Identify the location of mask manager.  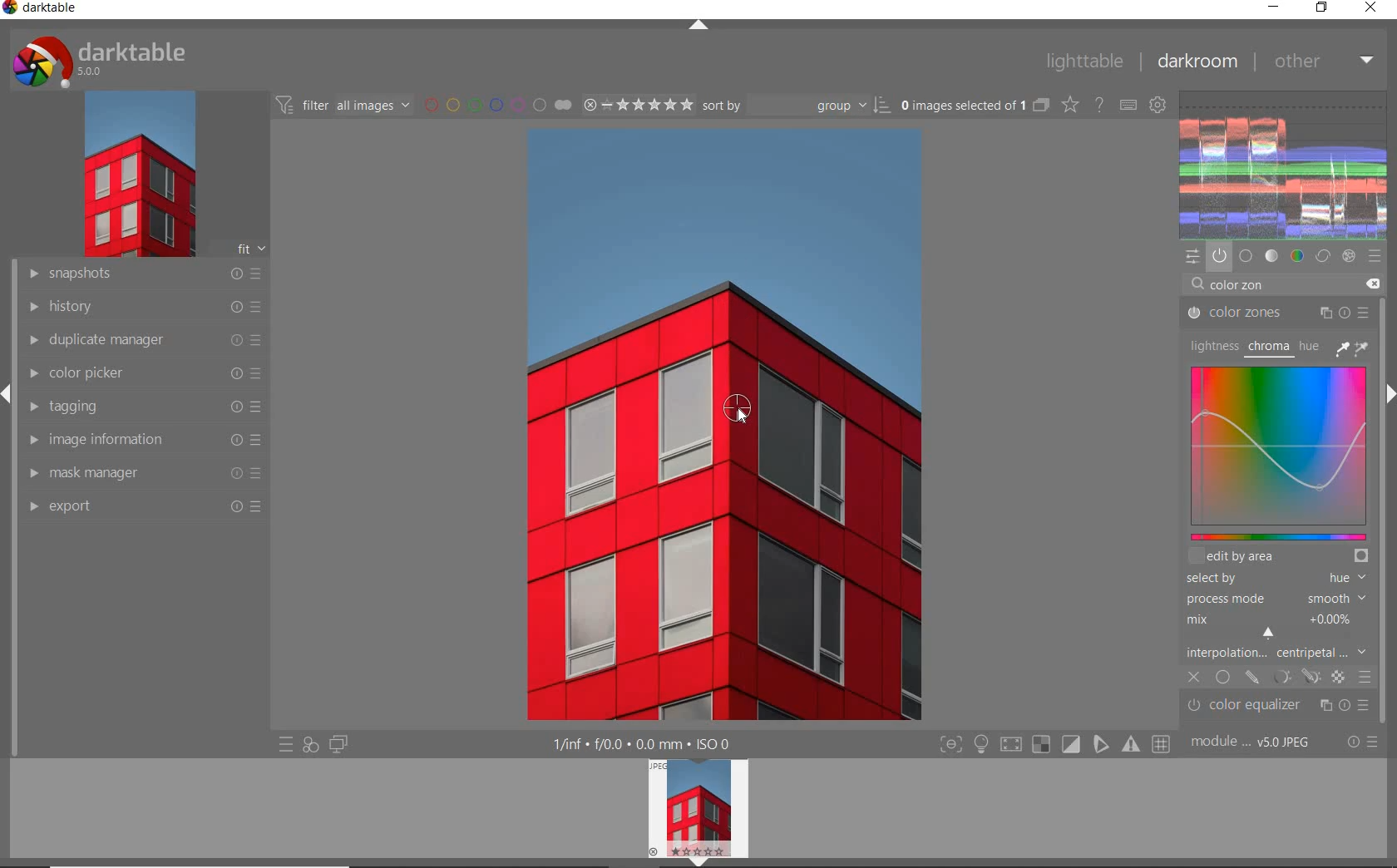
(142, 472).